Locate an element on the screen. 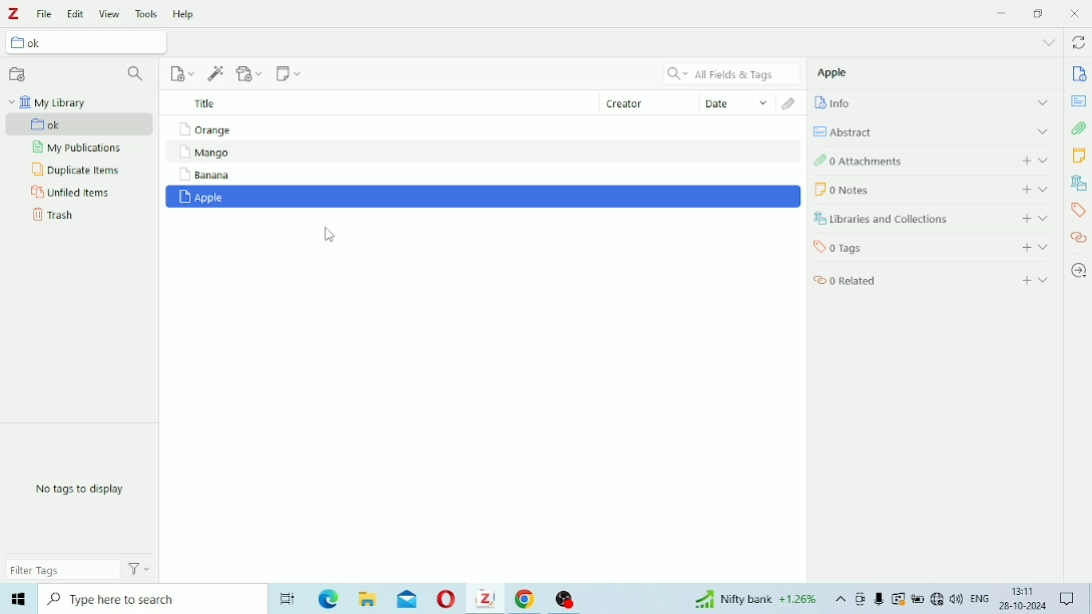 This screenshot has height=614, width=1092. Unfiled items. is located at coordinates (72, 194).